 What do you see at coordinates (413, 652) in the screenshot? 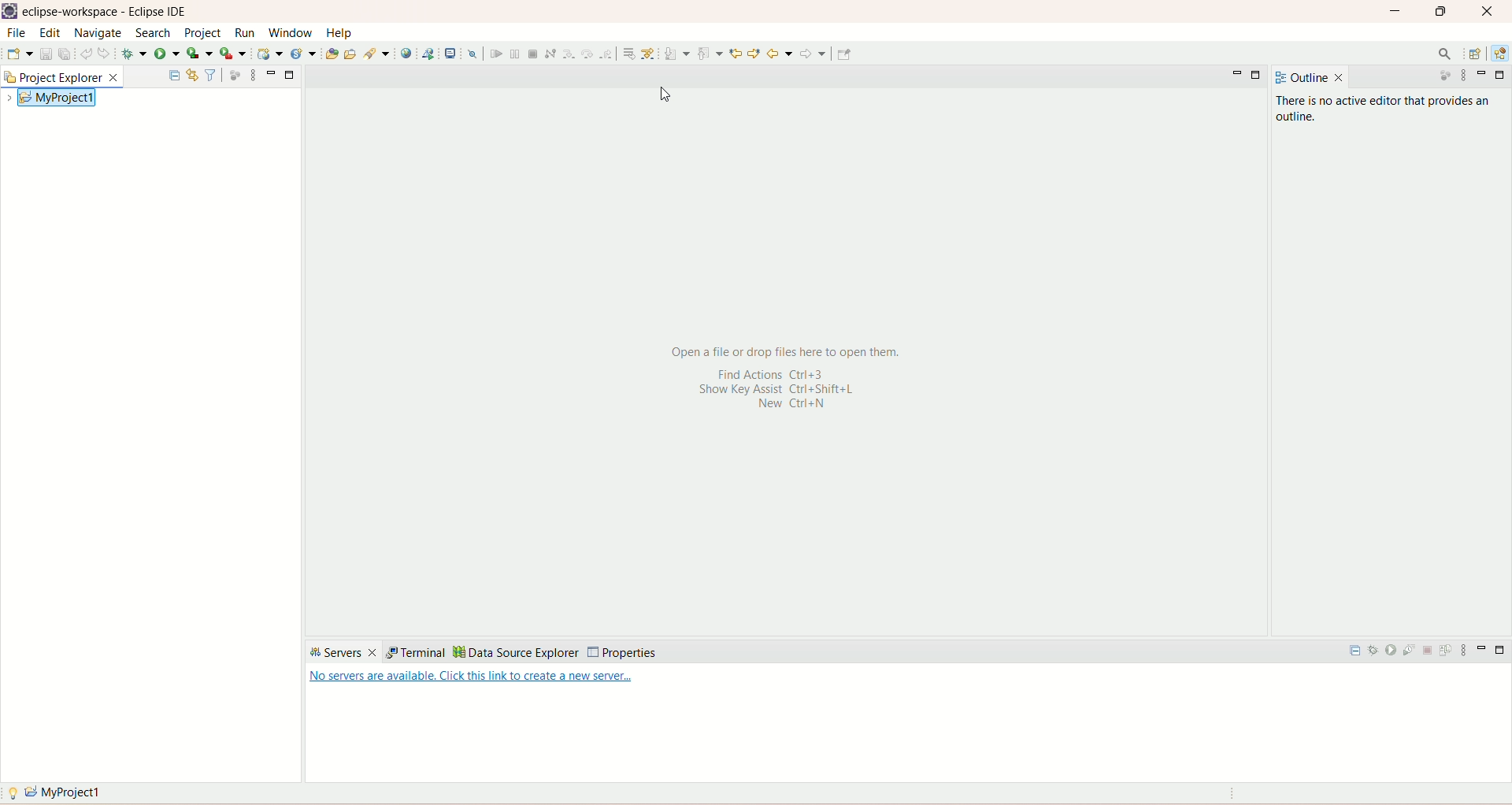
I see `terminal` at bounding box center [413, 652].